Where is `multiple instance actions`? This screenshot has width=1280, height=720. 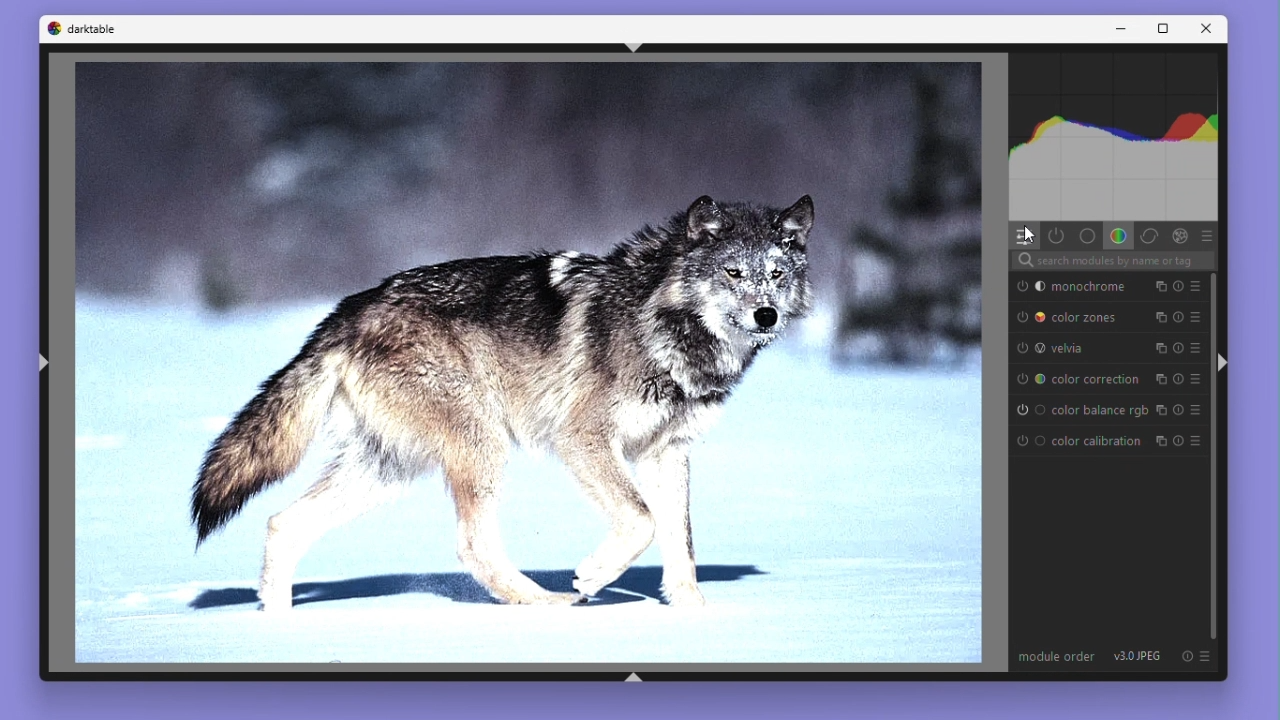
multiple instance actions is located at coordinates (1160, 410).